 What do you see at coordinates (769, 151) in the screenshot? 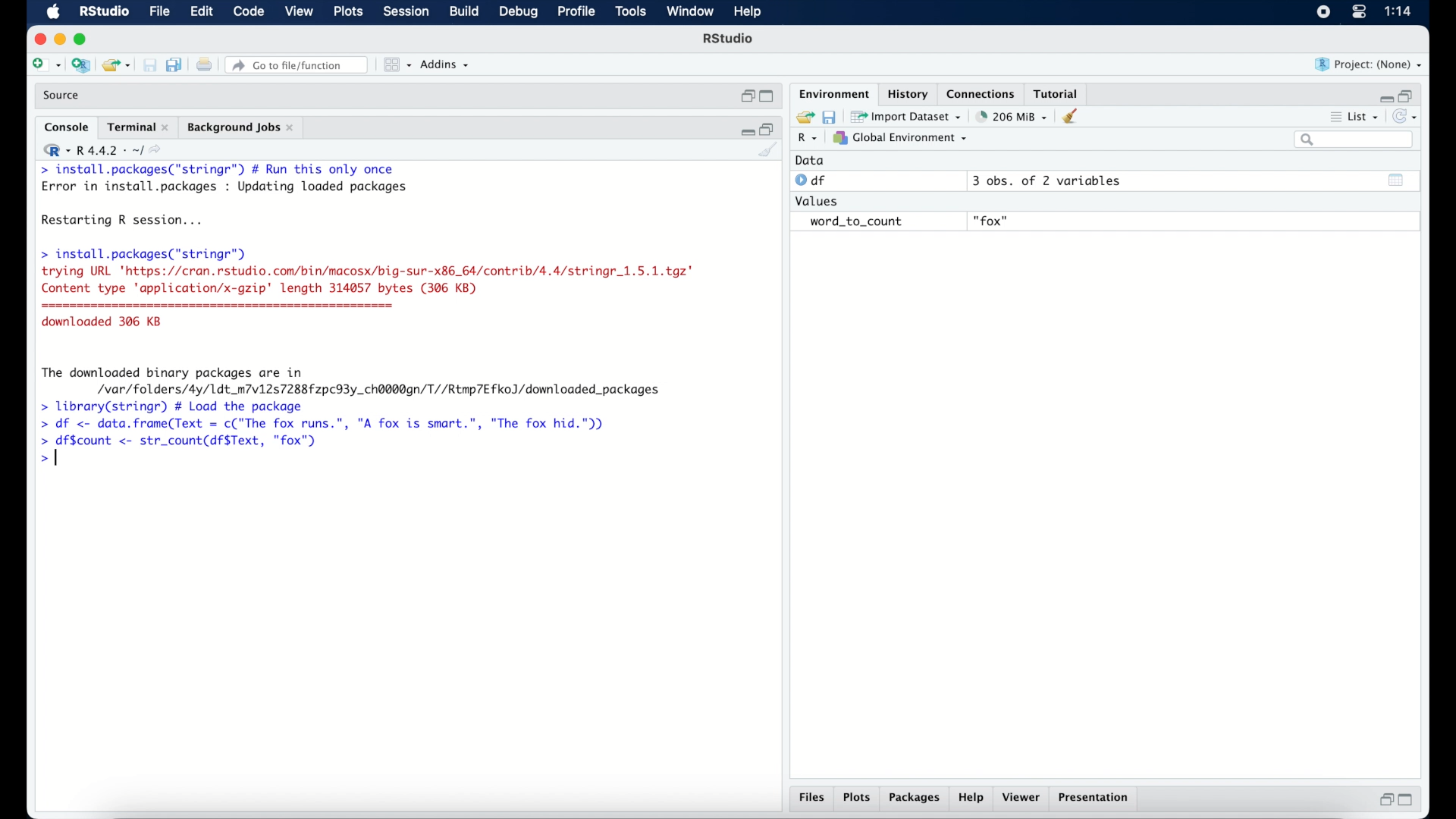
I see `clear console` at bounding box center [769, 151].